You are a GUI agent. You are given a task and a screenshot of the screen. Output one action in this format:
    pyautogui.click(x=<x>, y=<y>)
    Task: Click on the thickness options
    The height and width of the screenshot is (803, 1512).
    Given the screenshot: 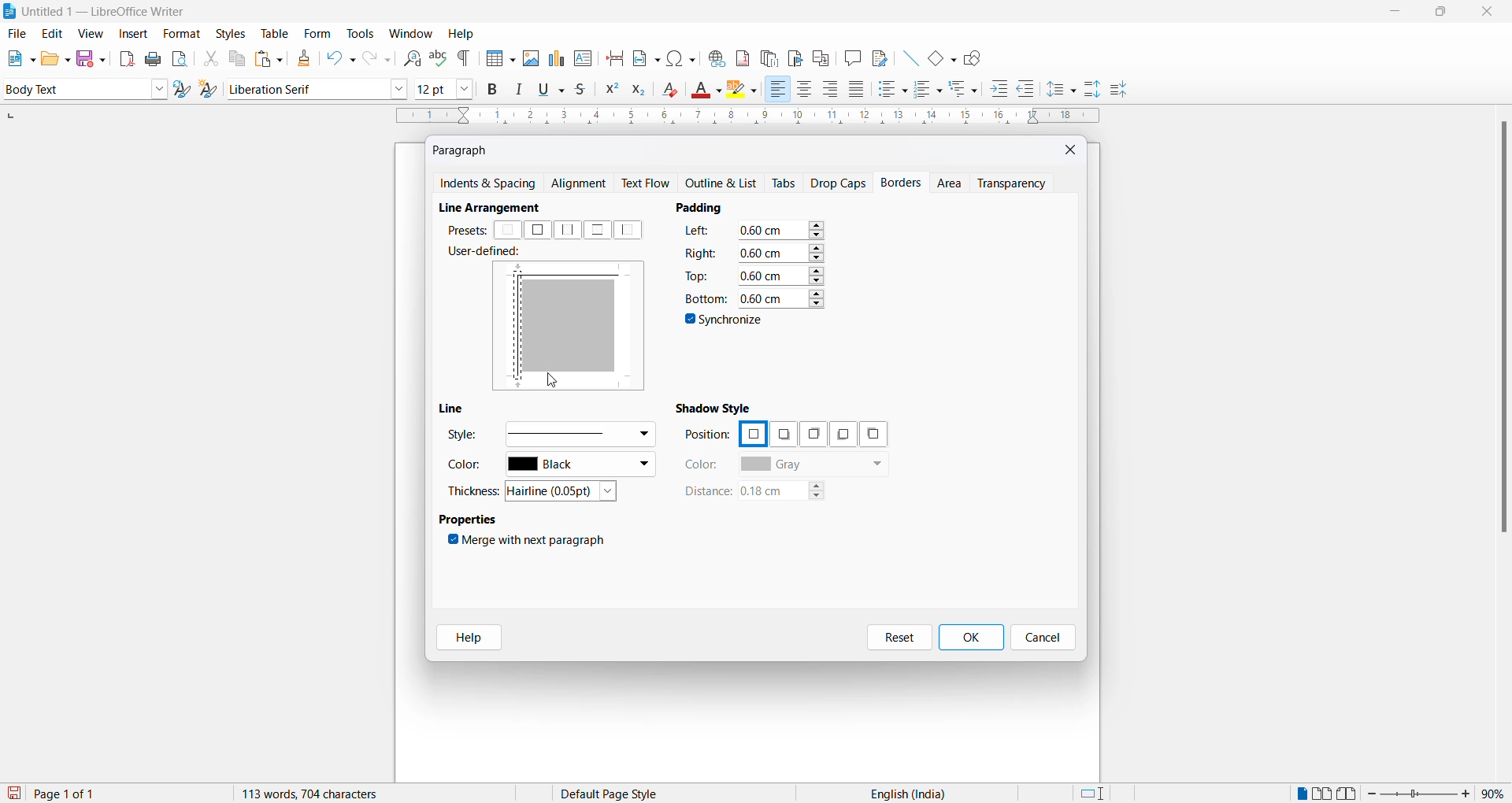 What is the action you would take?
    pyautogui.click(x=566, y=492)
    